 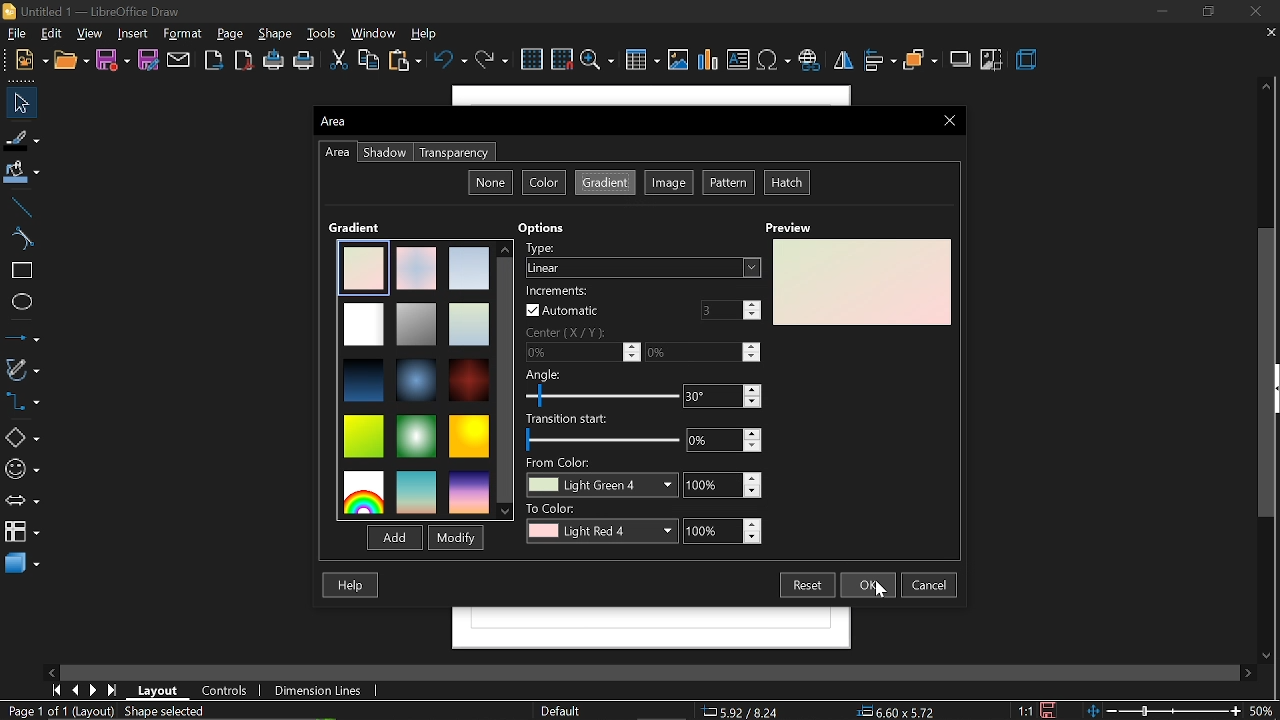 I want to click on New, so click(x=24, y=60).